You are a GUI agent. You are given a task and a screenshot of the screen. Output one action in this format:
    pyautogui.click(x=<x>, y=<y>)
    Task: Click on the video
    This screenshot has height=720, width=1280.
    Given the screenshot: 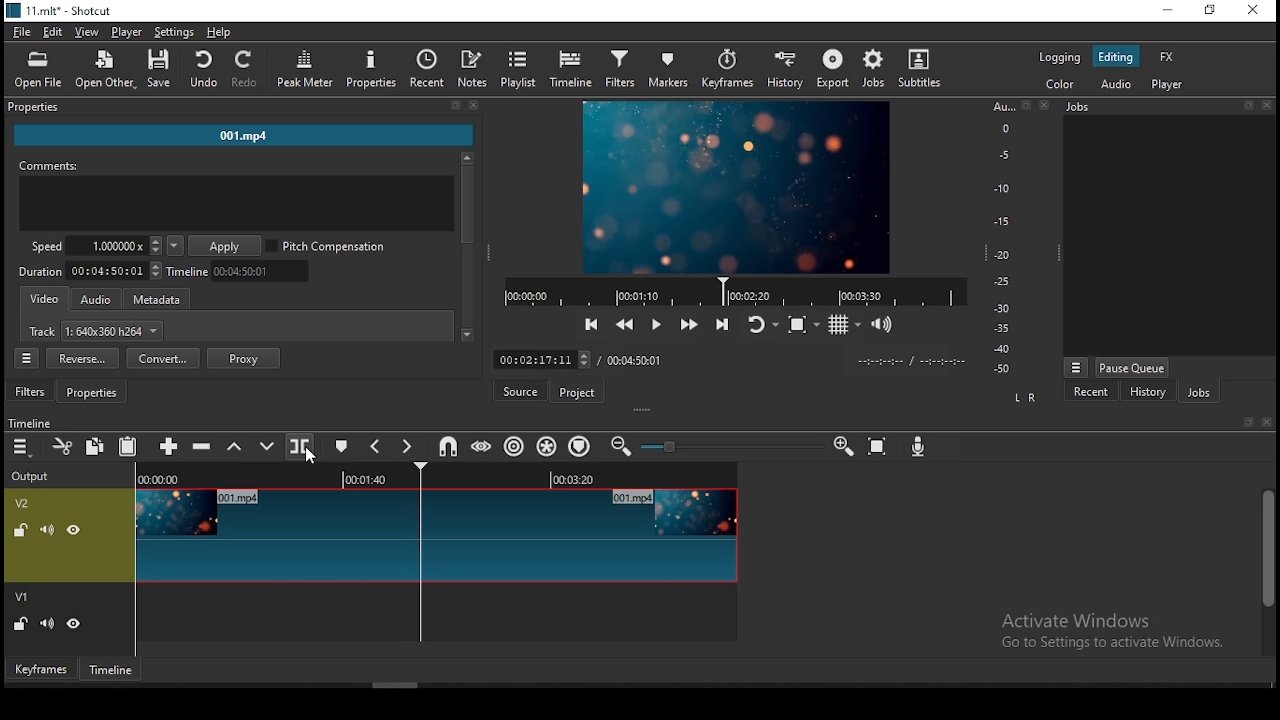 What is the action you would take?
    pyautogui.click(x=46, y=300)
    